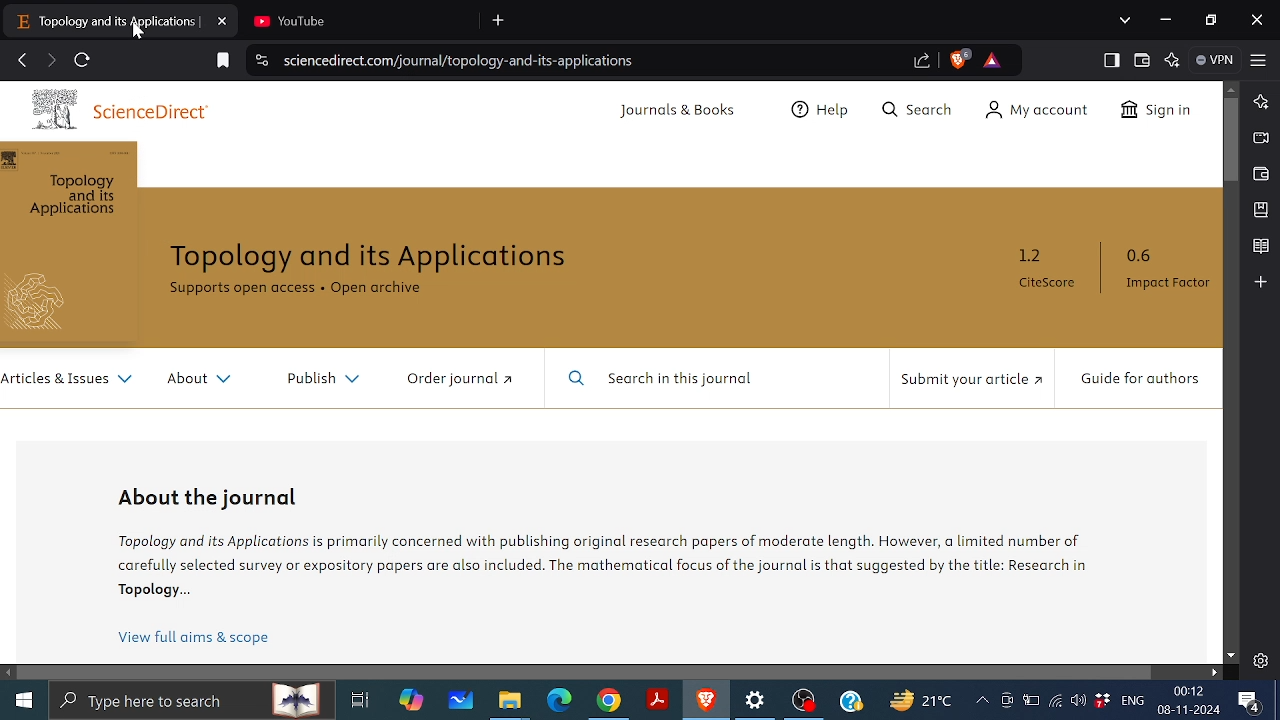 Image resolution: width=1280 pixels, height=720 pixels. Describe the element at coordinates (658, 700) in the screenshot. I see `Adobe reader` at that location.